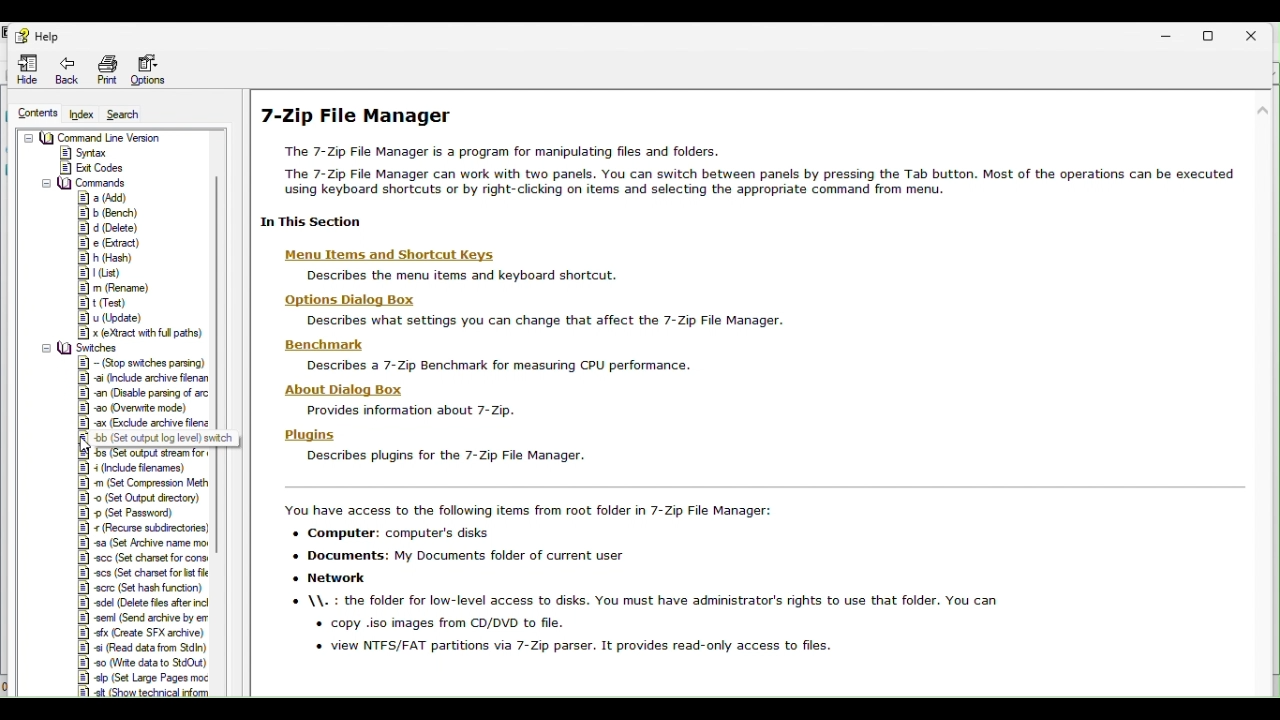 This screenshot has width=1280, height=720. What do you see at coordinates (85, 152) in the screenshot?
I see `(8) Syntax` at bounding box center [85, 152].